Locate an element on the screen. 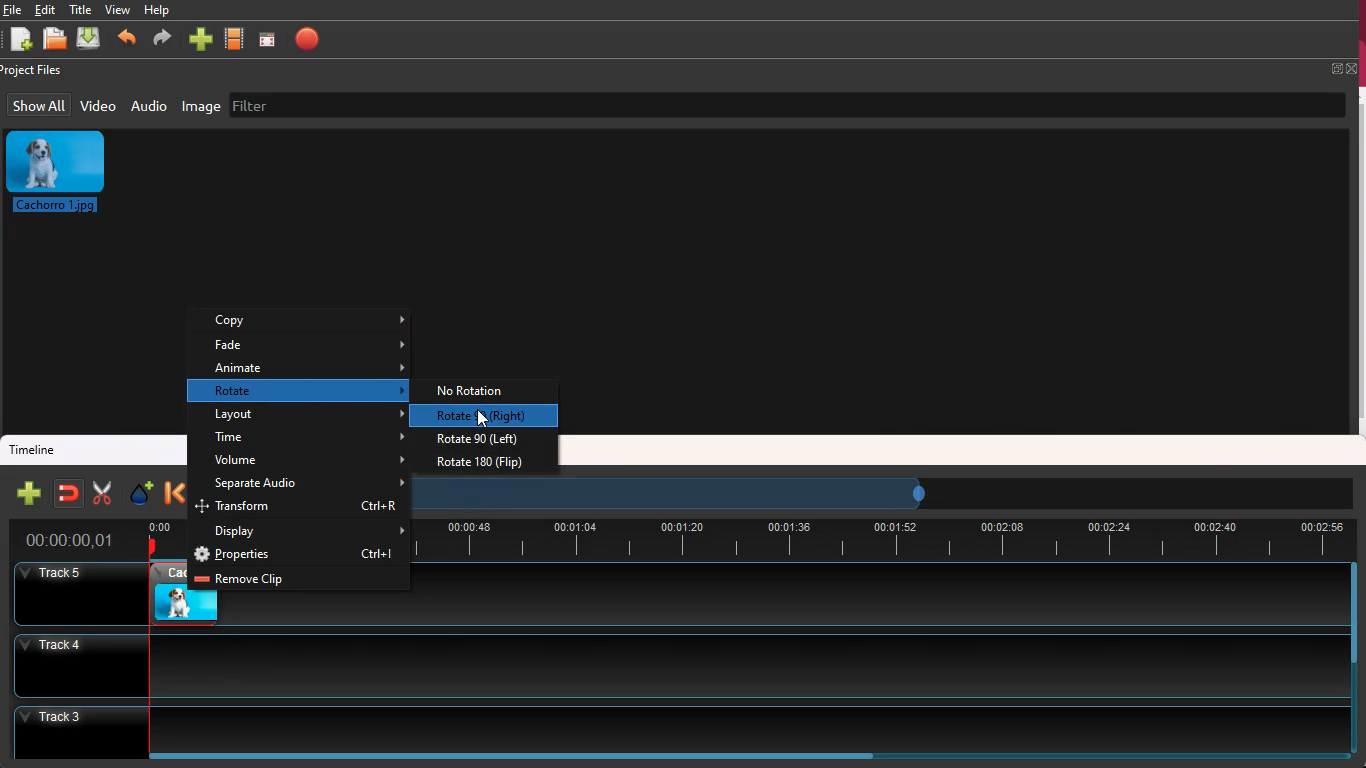  rotate is located at coordinates (309, 392).